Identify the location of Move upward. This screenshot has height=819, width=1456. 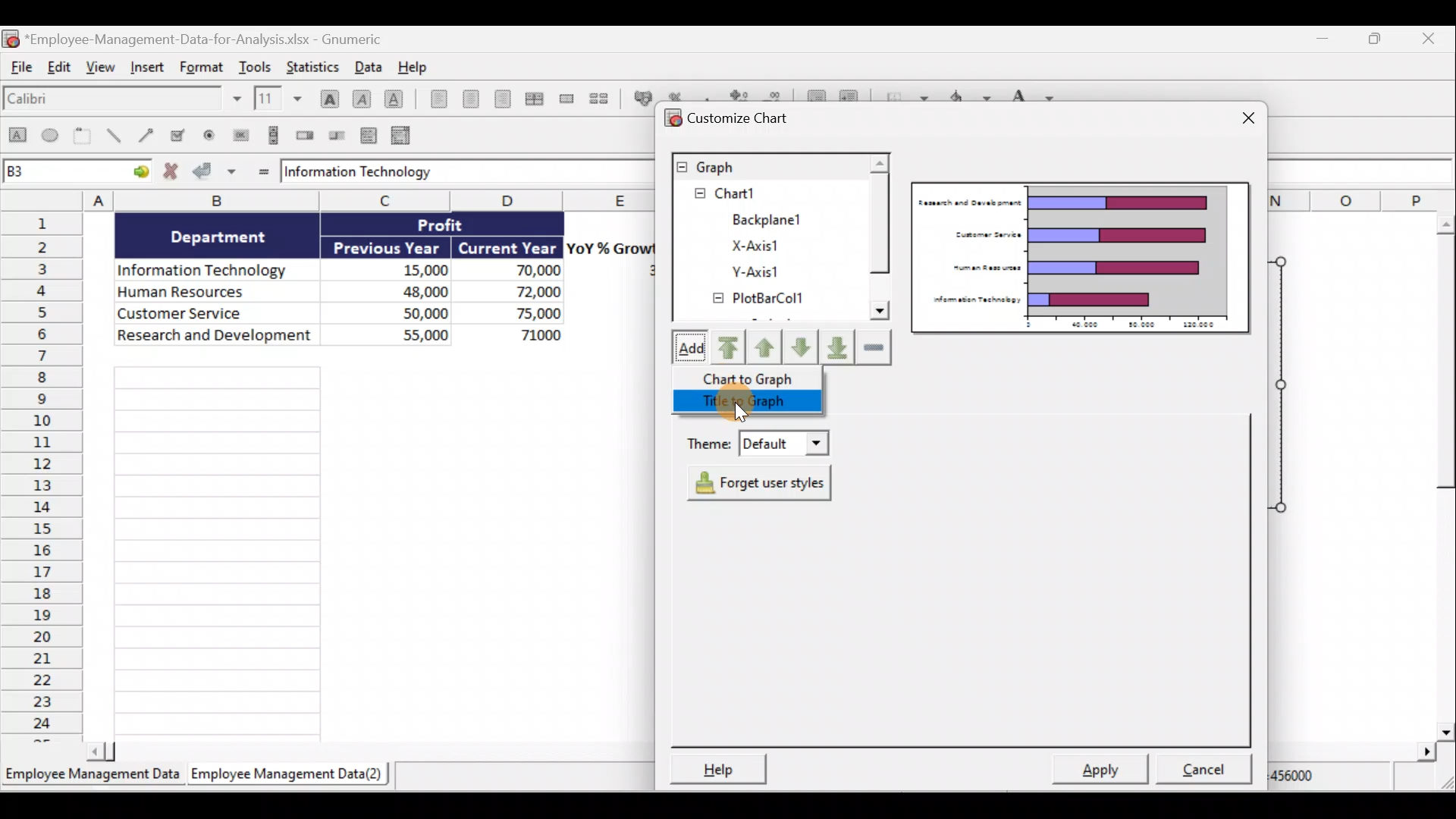
(727, 350).